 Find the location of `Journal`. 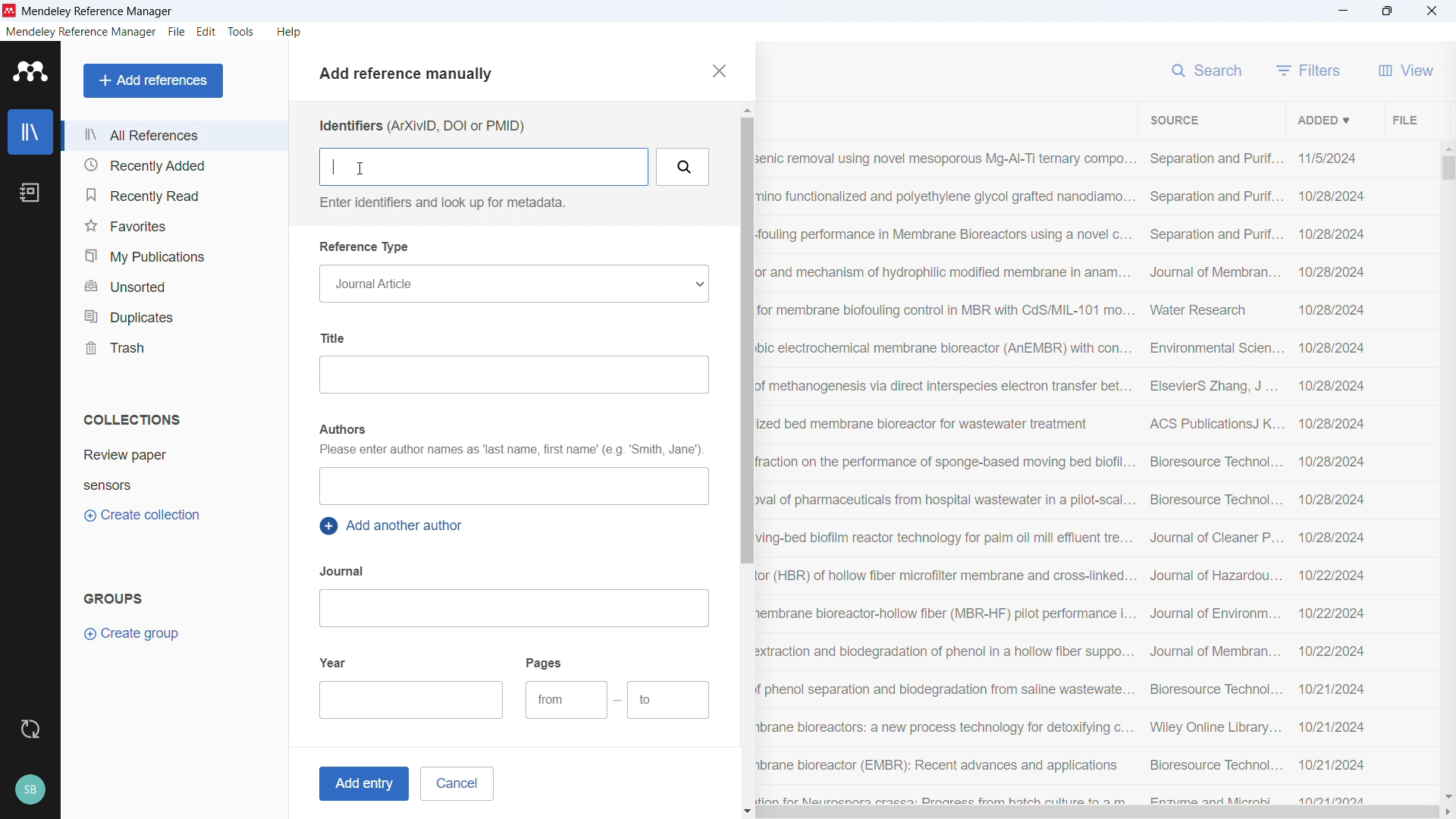

Journal is located at coordinates (344, 571).